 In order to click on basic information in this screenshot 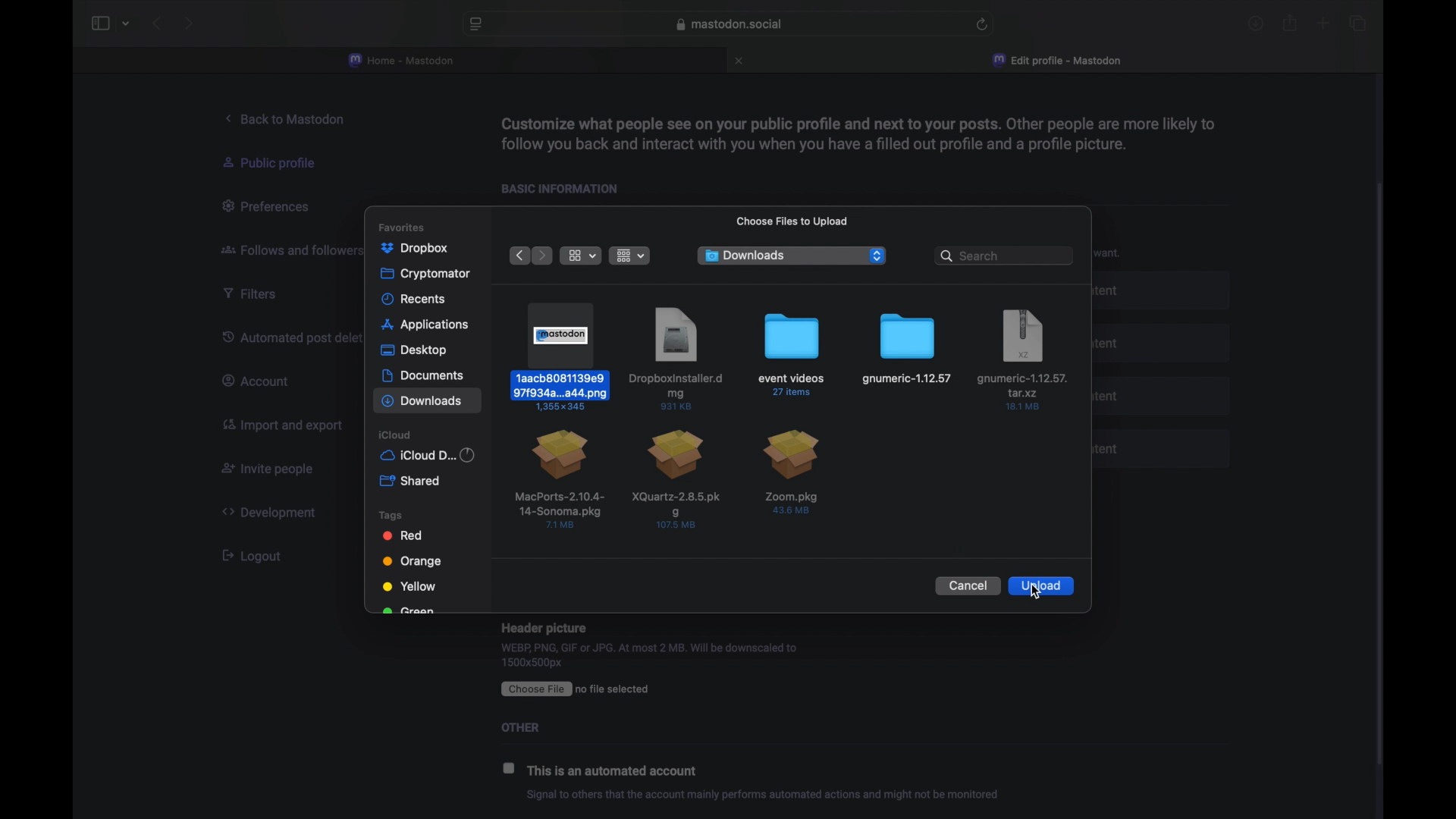, I will do `click(566, 189)`.